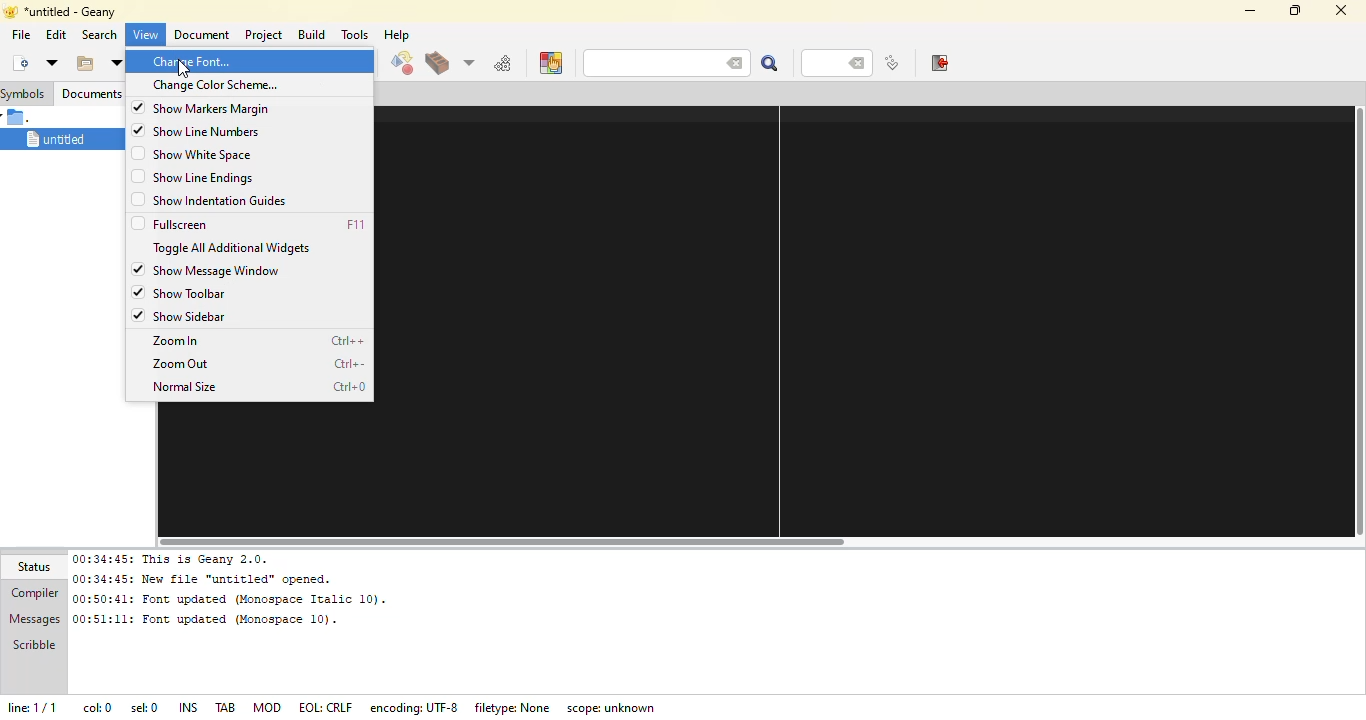  What do you see at coordinates (267, 706) in the screenshot?
I see `mod` at bounding box center [267, 706].